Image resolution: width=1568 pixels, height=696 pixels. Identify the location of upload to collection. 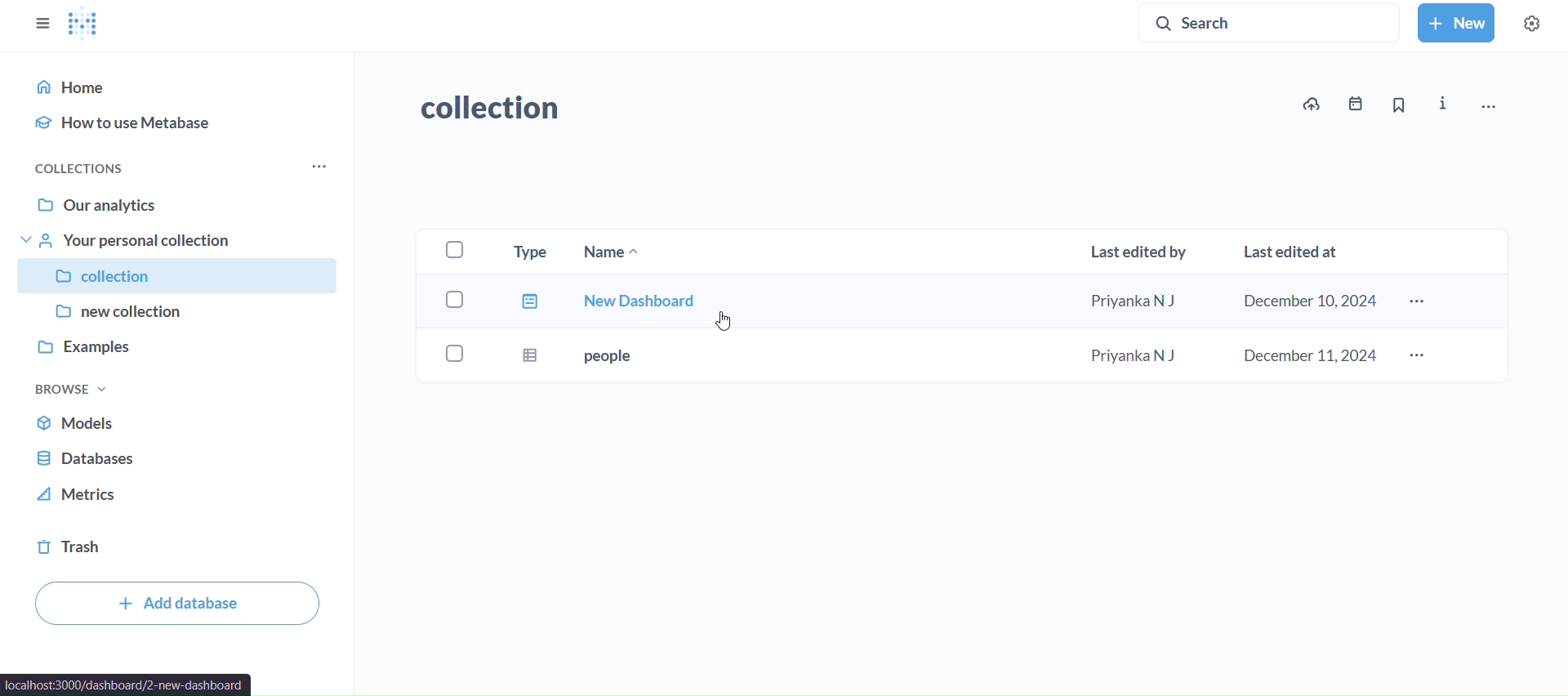
(1308, 104).